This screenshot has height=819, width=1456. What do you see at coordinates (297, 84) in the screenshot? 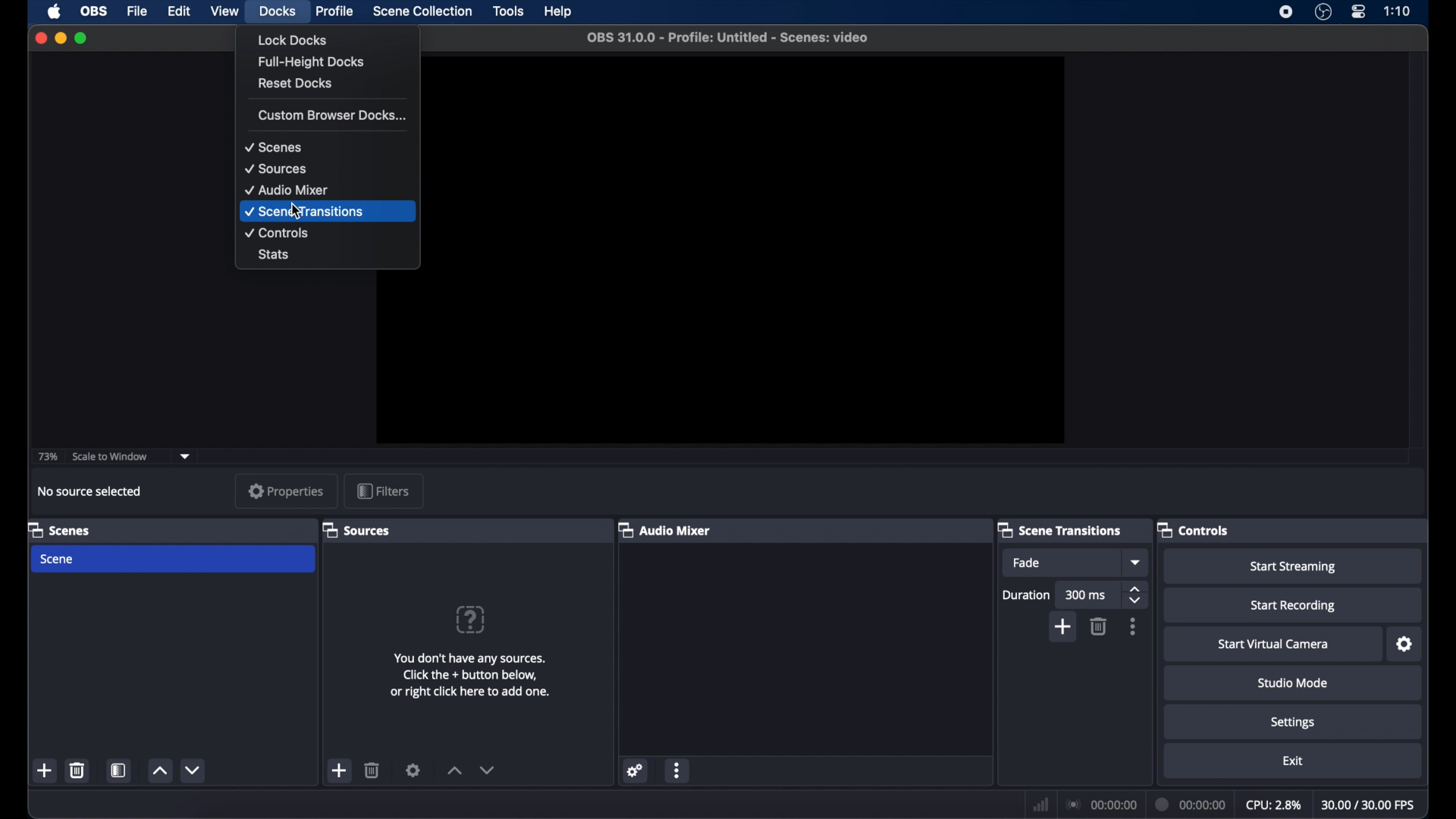
I see `reset docks` at bounding box center [297, 84].